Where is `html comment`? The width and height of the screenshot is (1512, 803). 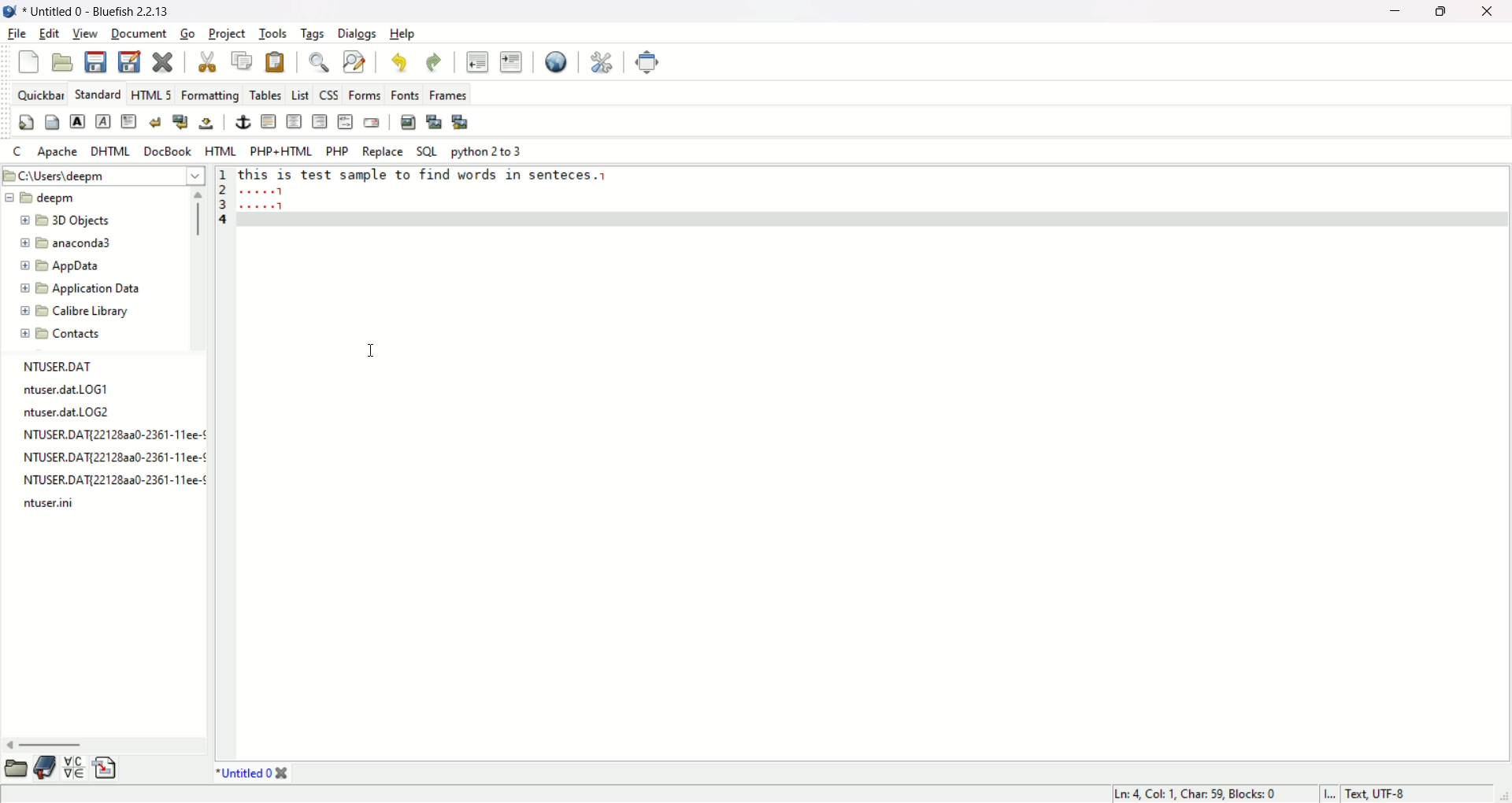
html comment is located at coordinates (346, 122).